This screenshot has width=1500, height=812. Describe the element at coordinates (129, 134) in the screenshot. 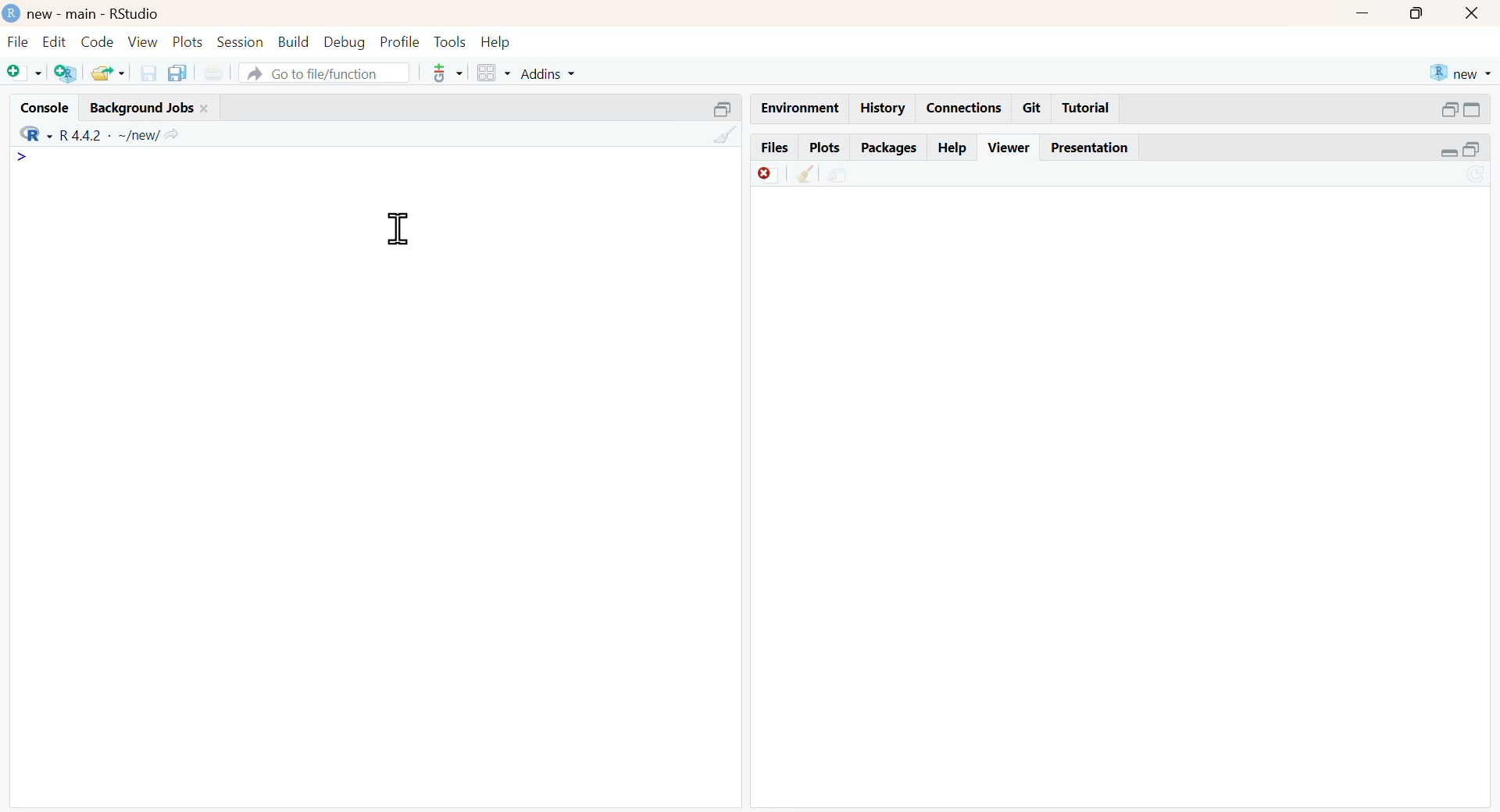

I see `v R442 - ~/new/` at that location.